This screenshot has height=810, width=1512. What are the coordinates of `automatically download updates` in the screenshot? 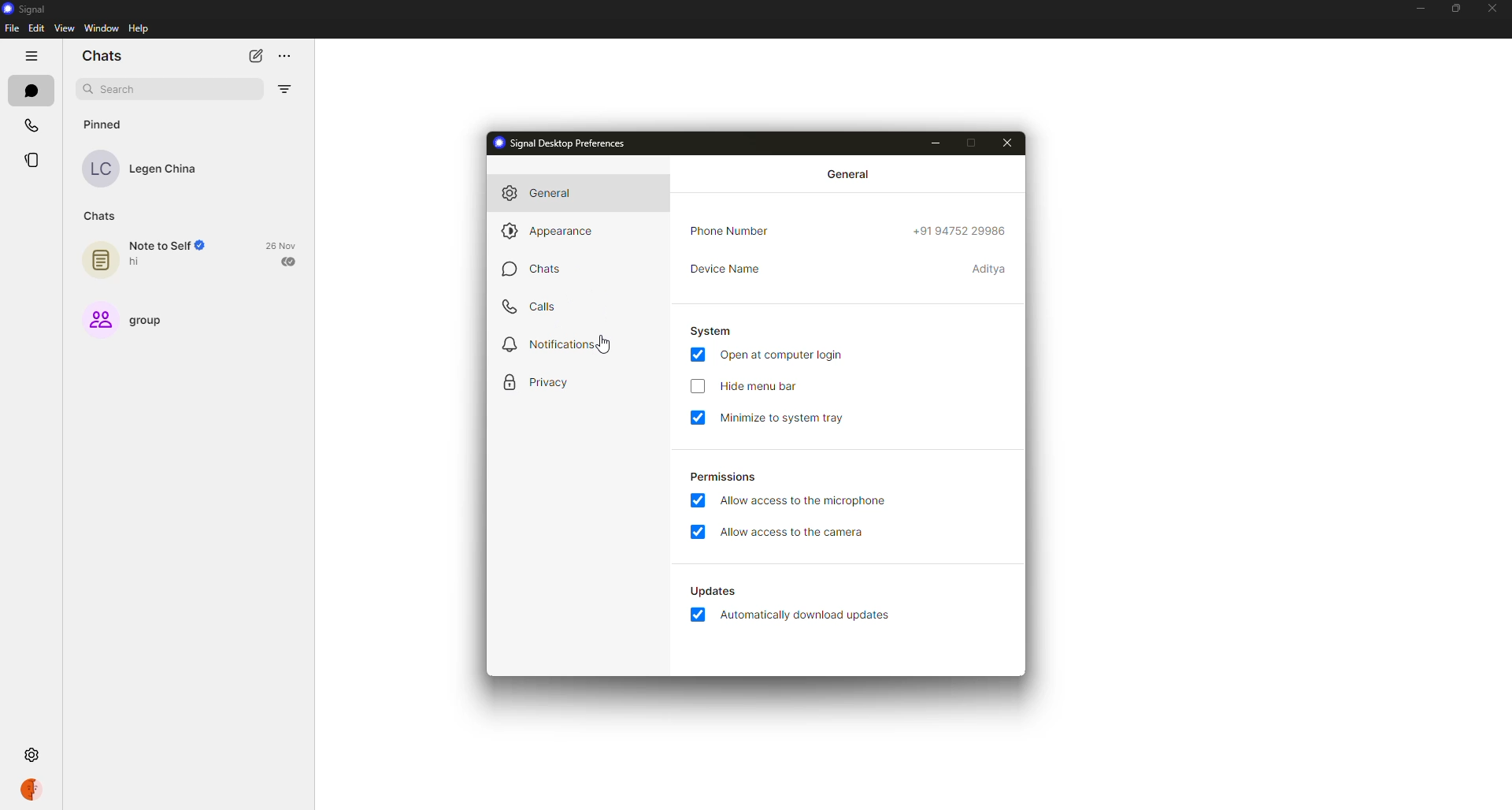 It's located at (714, 592).